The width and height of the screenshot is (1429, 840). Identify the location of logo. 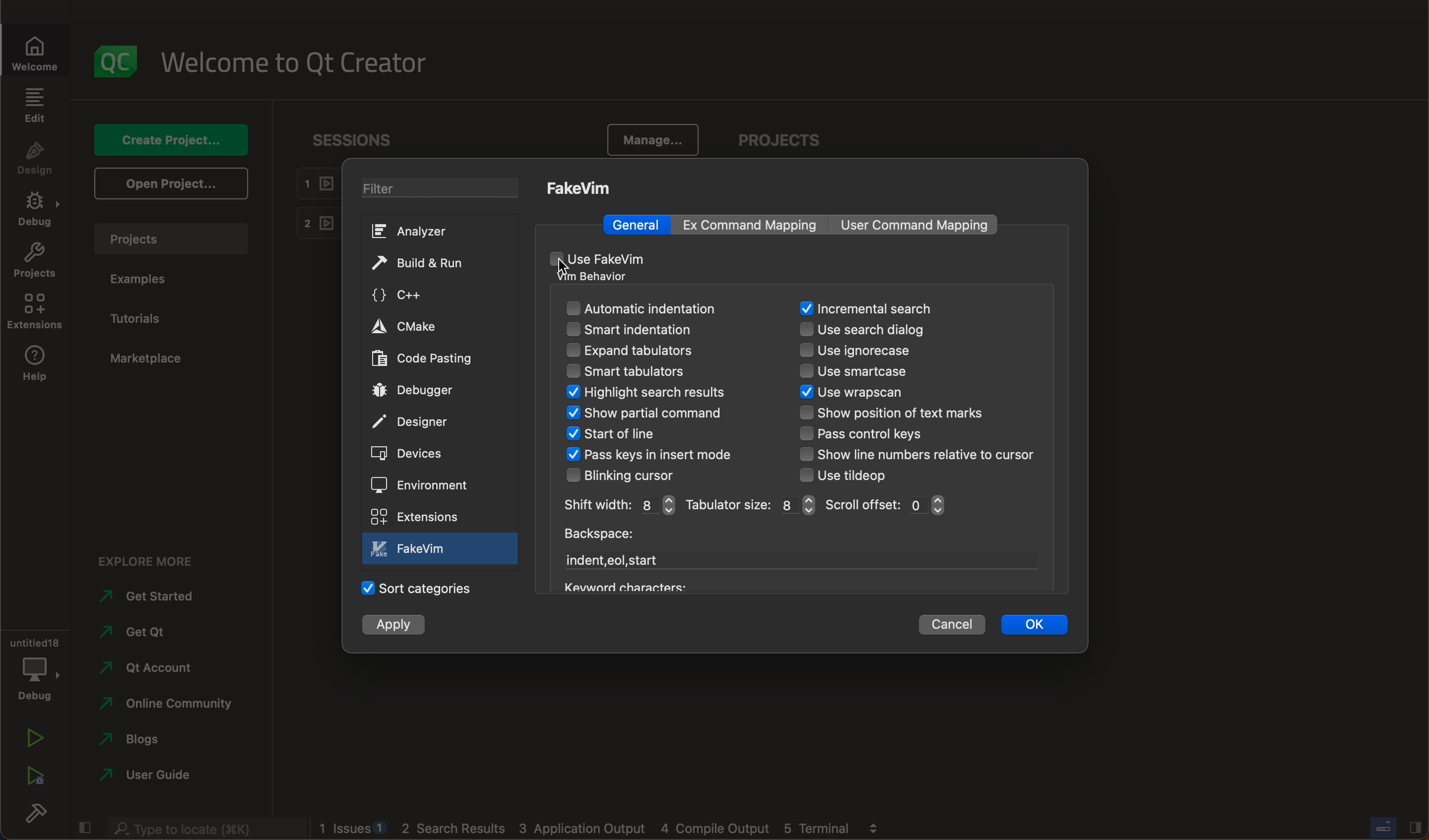
(113, 61).